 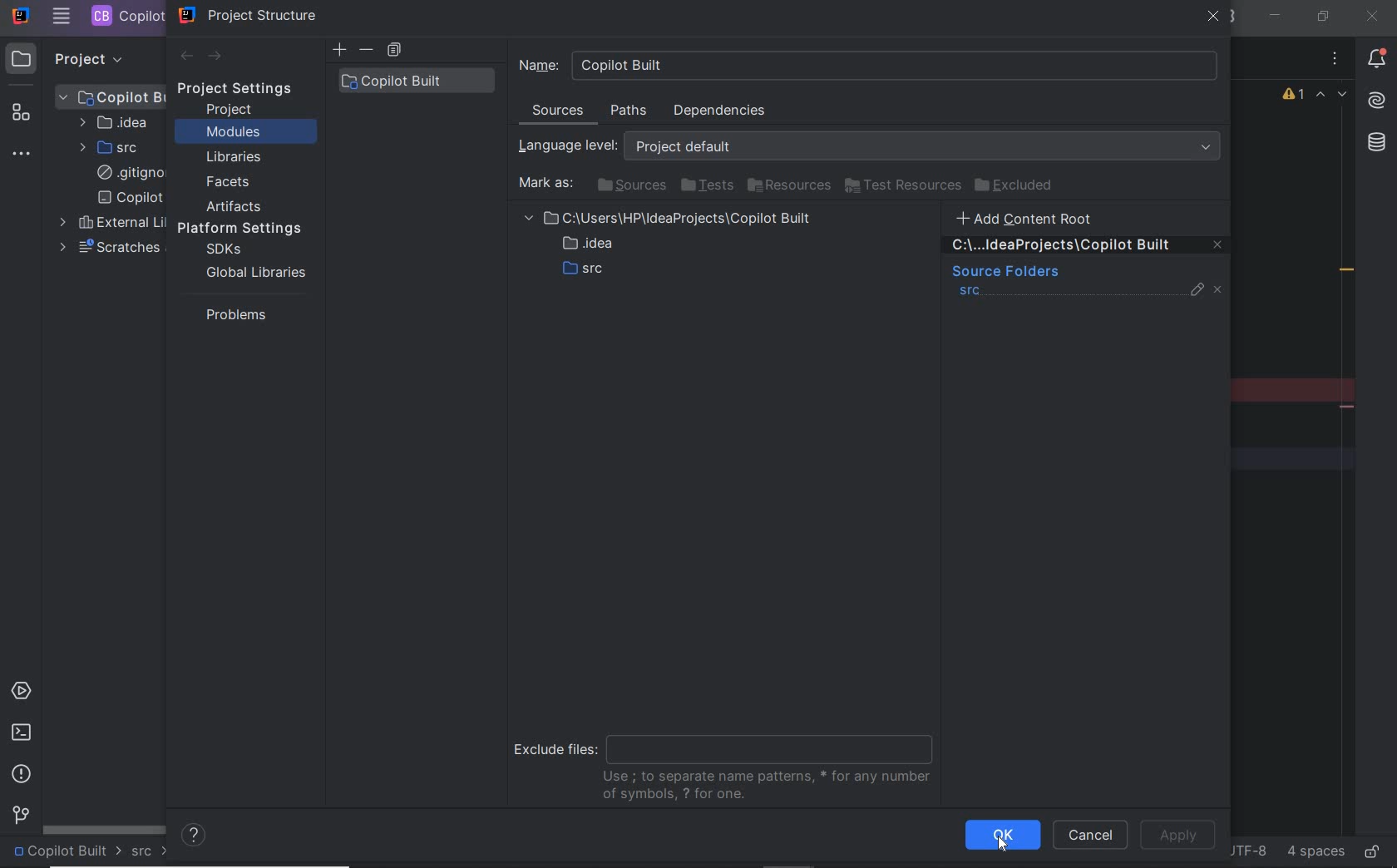 What do you see at coordinates (1377, 61) in the screenshot?
I see `notifications` at bounding box center [1377, 61].